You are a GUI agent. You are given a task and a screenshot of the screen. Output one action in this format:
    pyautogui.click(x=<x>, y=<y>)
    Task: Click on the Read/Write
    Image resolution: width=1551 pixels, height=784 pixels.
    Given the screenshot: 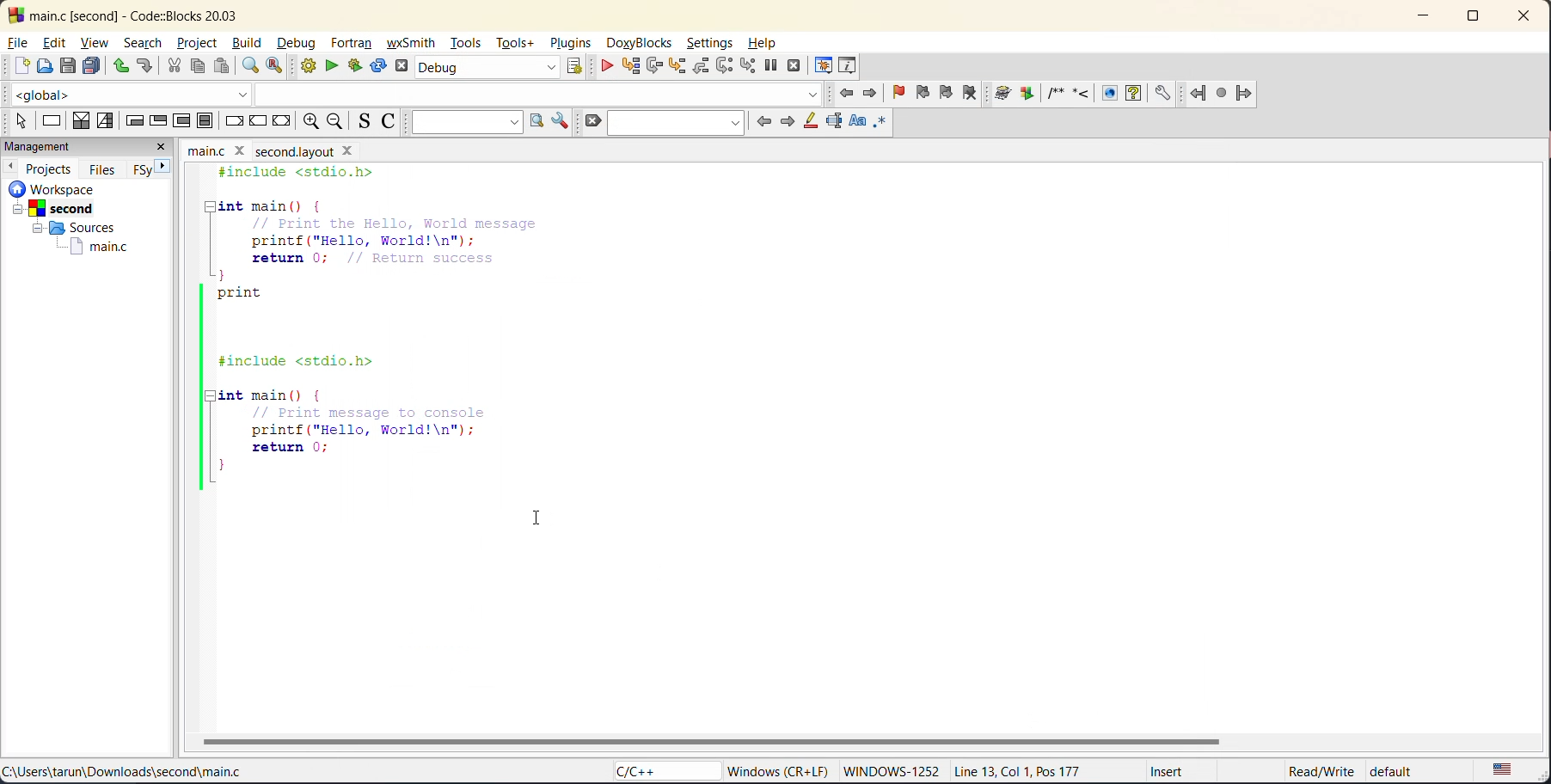 What is the action you would take?
    pyautogui.click(x=1303, y=771)
    